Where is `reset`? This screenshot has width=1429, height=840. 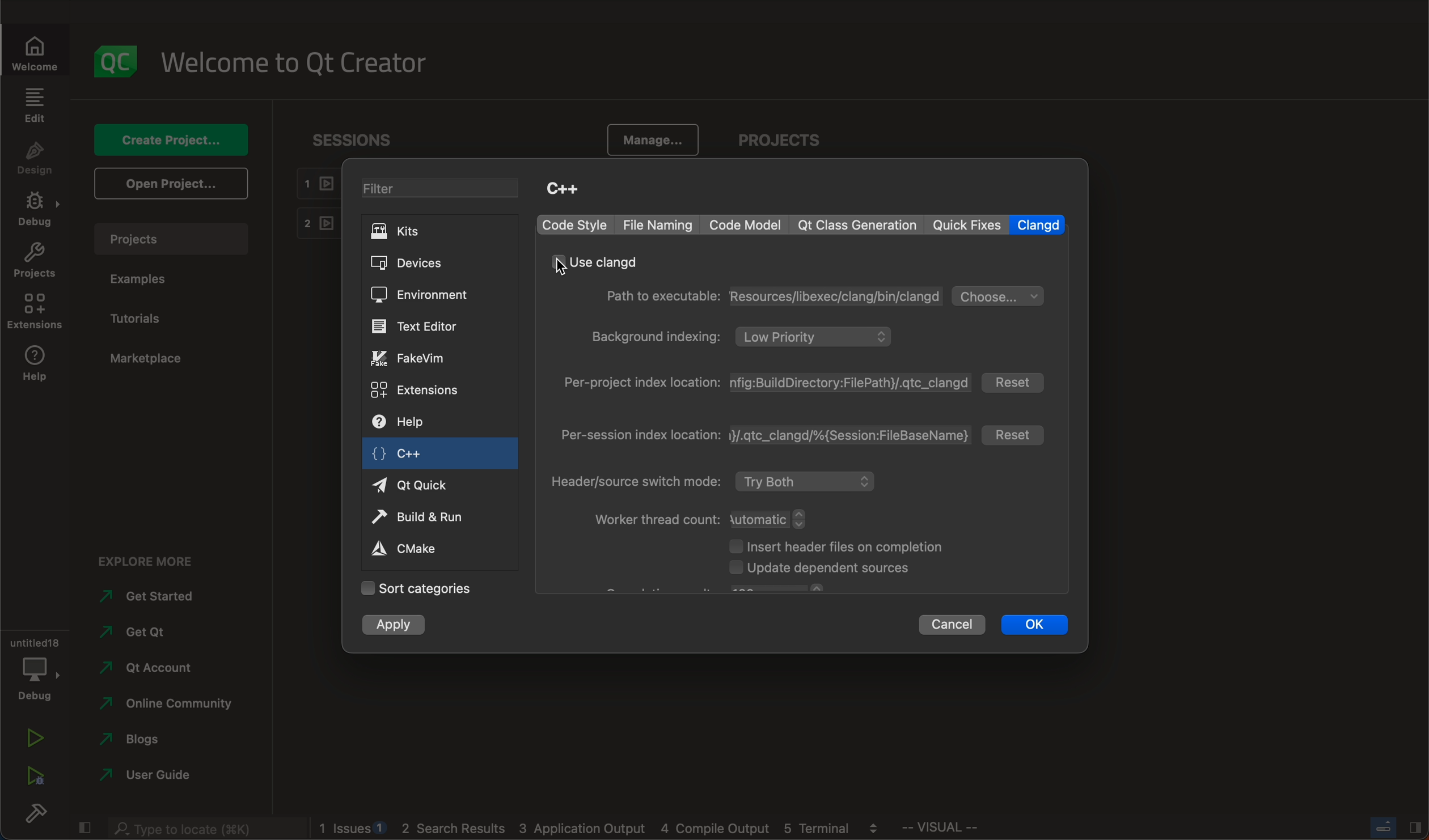
reset is located at coordinates (1012, 382).